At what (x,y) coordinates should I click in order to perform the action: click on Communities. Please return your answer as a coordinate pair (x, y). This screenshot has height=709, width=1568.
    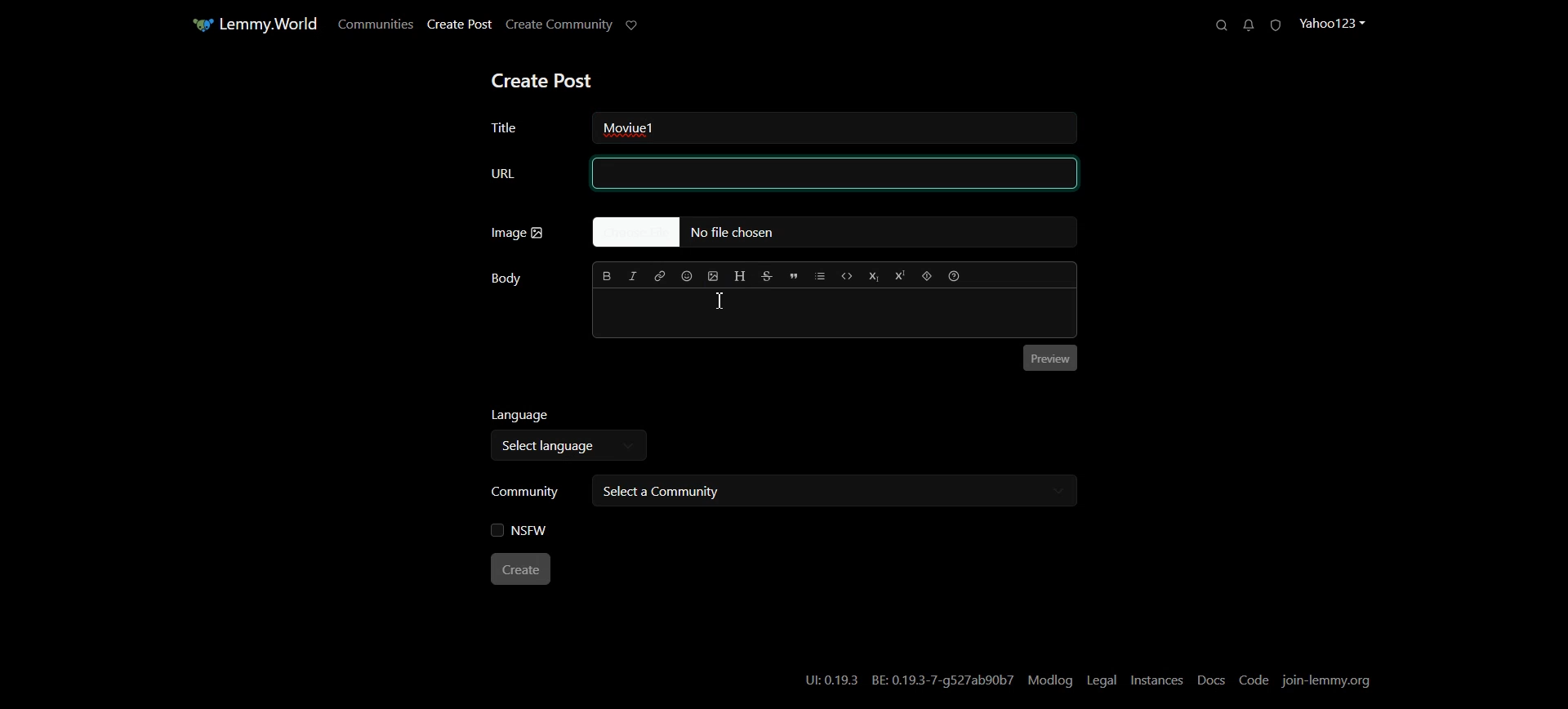
    Looking at the image, I should click on (373, 24).